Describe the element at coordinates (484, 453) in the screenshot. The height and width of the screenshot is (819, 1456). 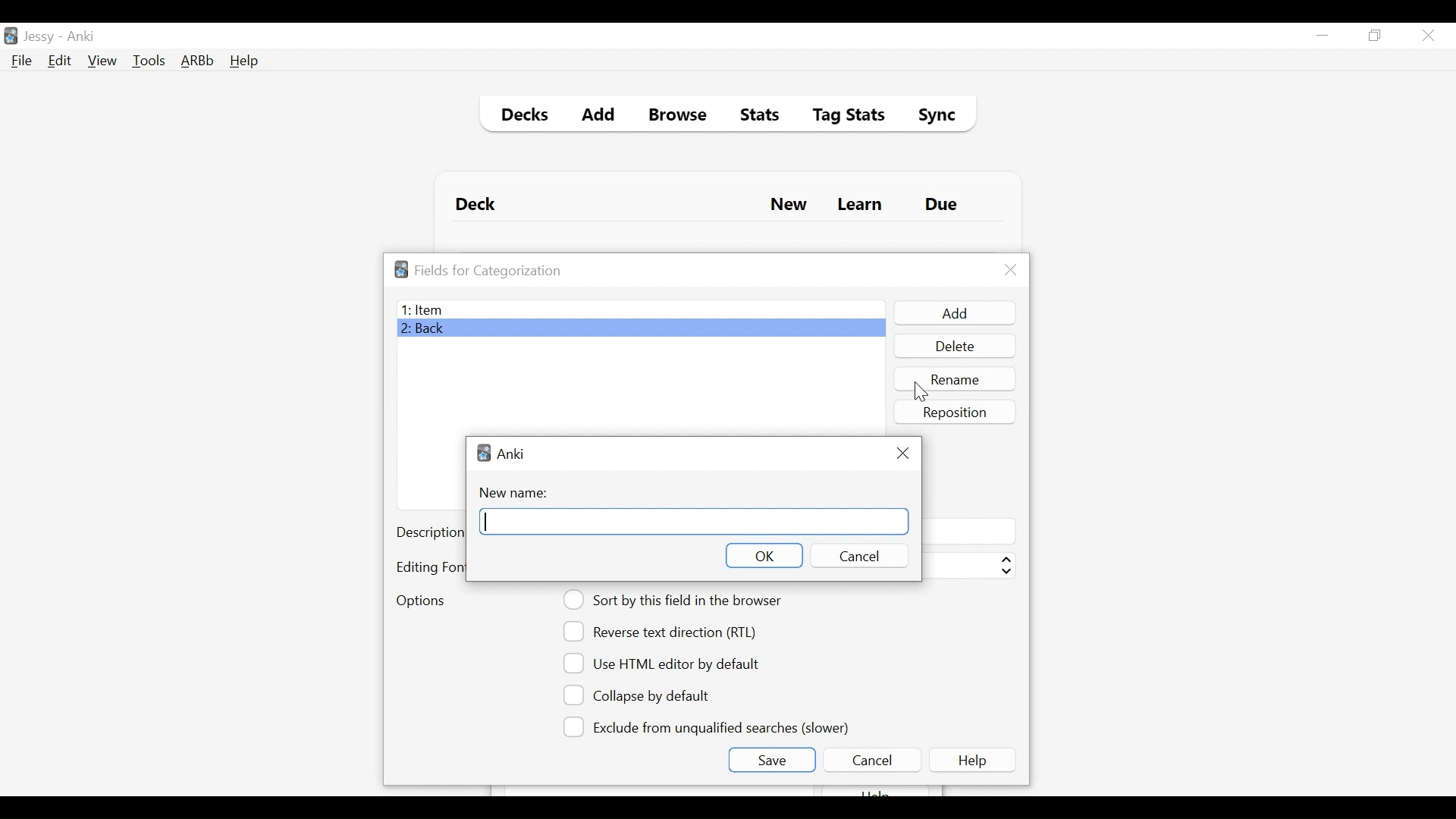
I see `Anki logo` at that location.